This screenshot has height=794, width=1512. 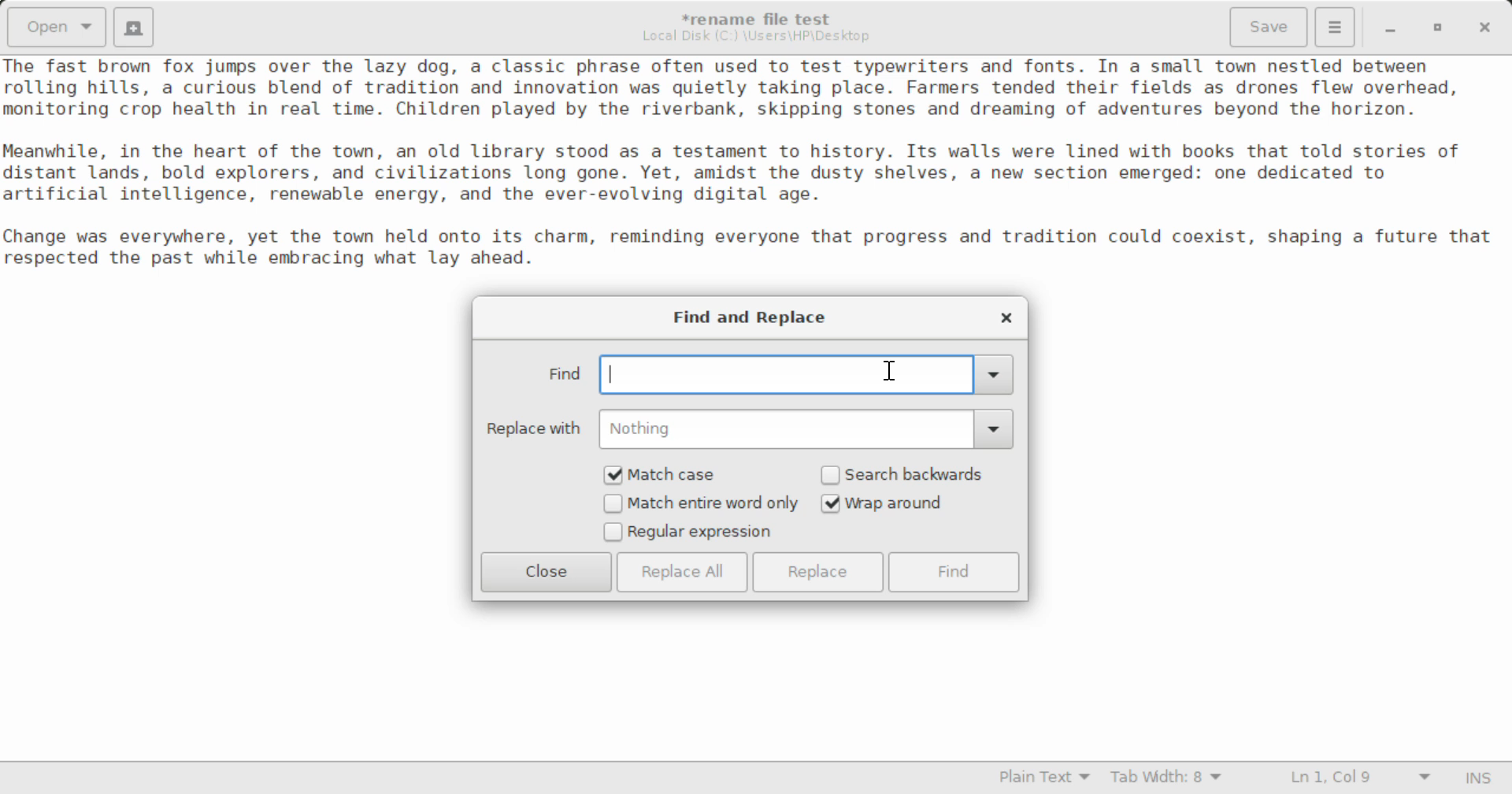 What do you see at coordinates (700, 505) in the screenshot?
I see `Match entire word only` at bounding box center [700, 505].